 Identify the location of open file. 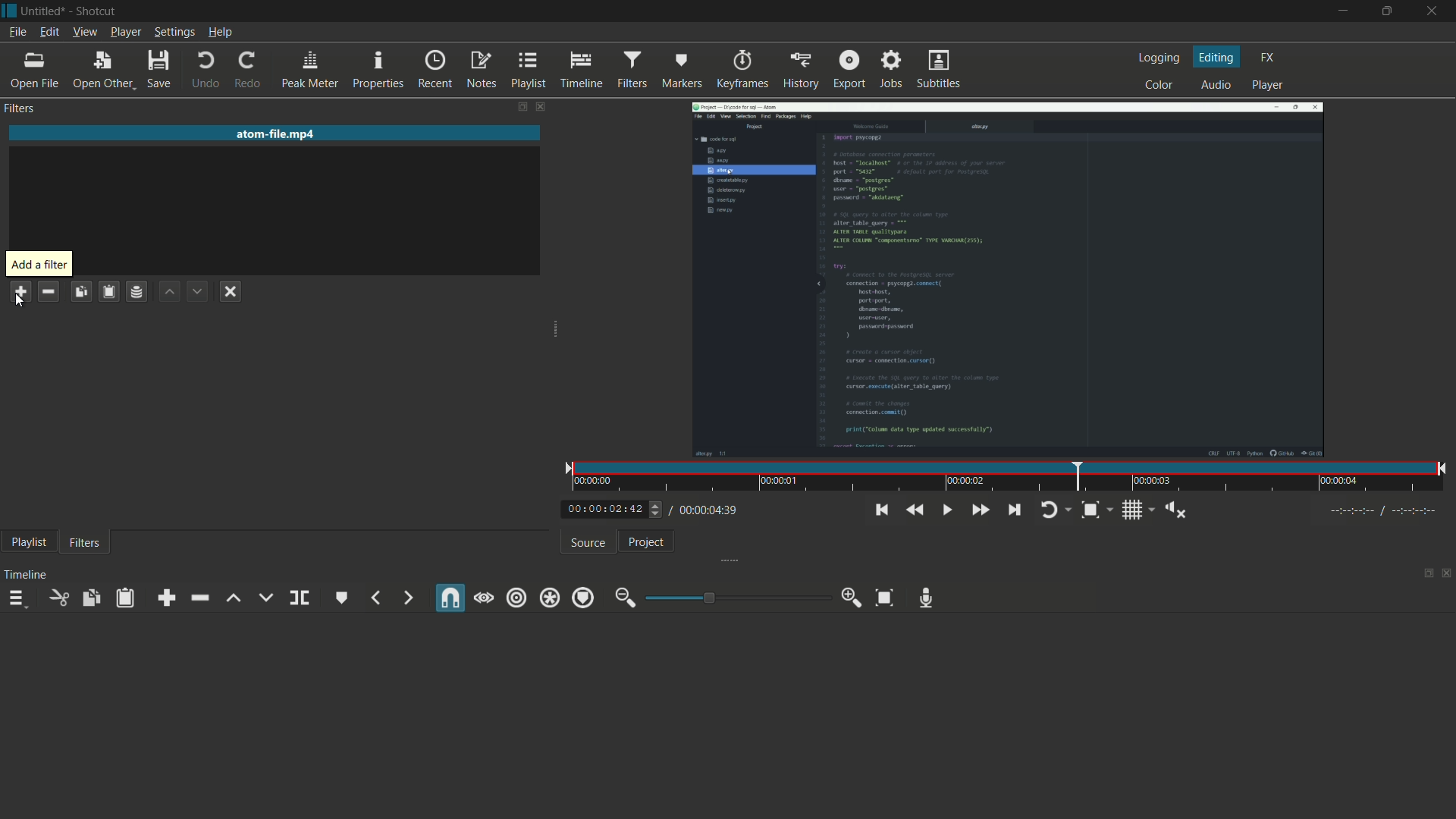
(33, 72).